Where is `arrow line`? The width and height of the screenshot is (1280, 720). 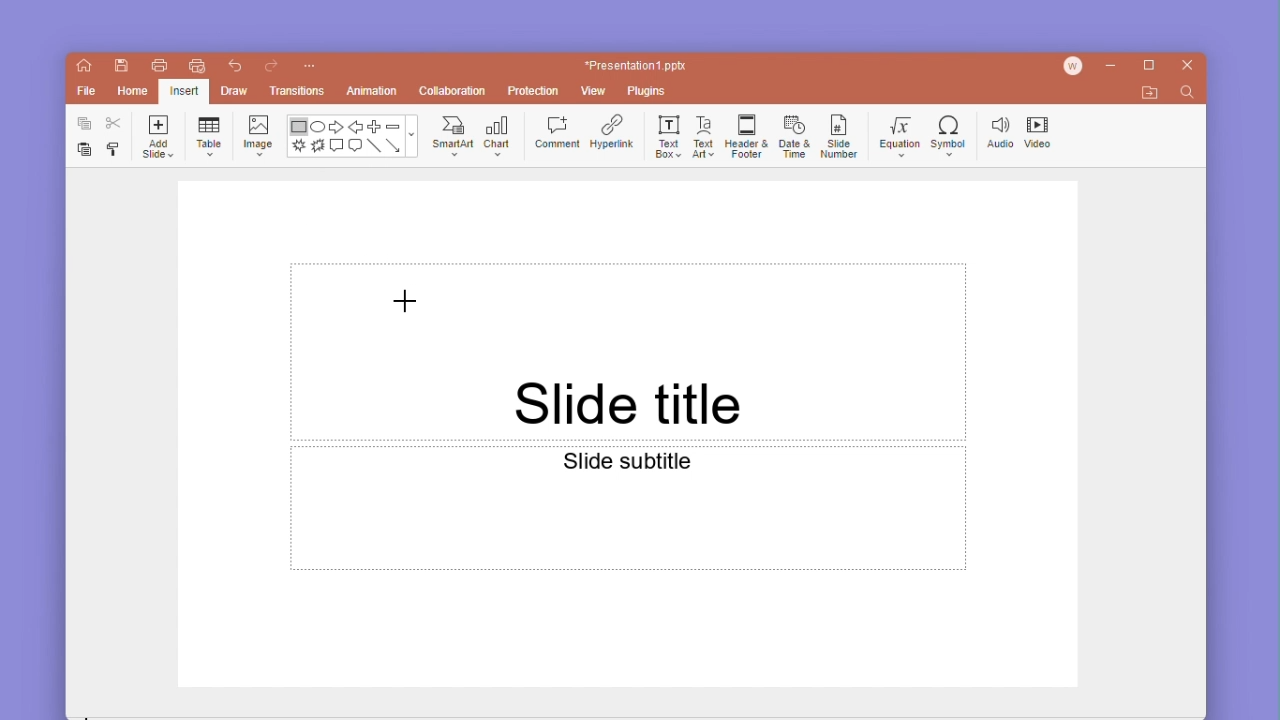 arrow line is located at coordinates (395, 147).